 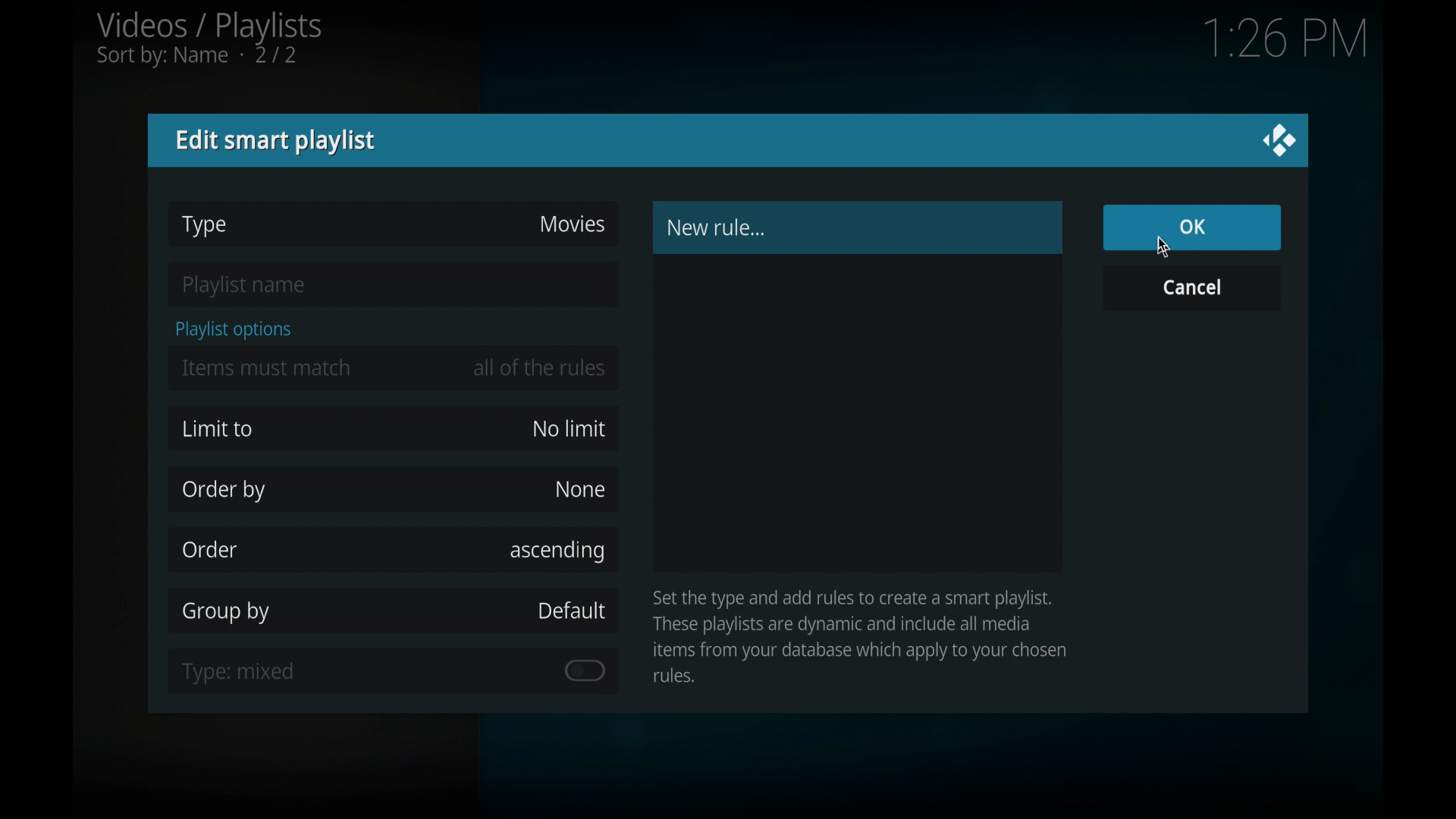 I want to click on close, so click(x=1280, y=140).